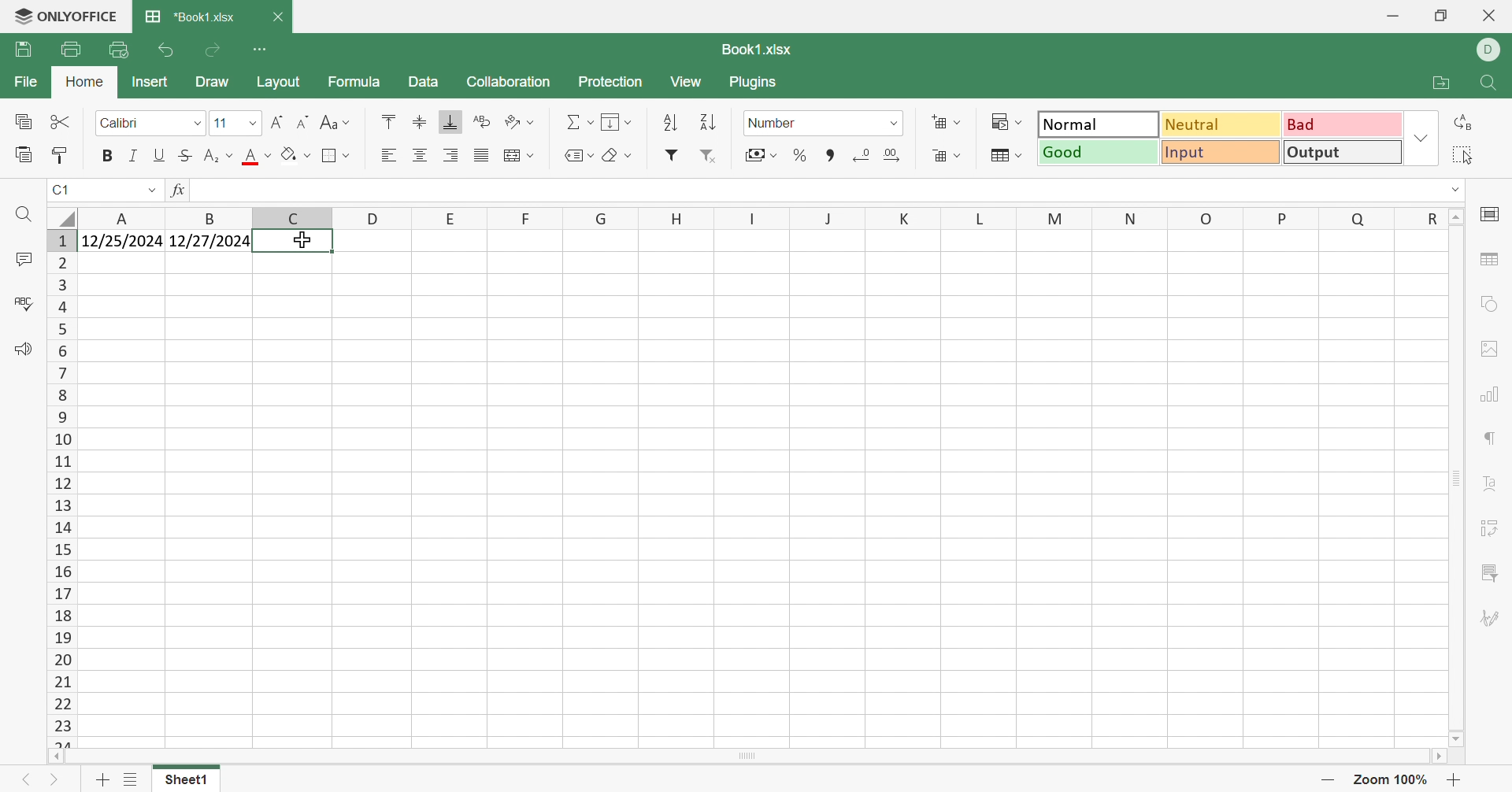 This screenshot has width=1512, height=792. What do you see at coordinates (181, 781) in the screenshot?
I see `Sheet1` at bounding box center [181, 781].